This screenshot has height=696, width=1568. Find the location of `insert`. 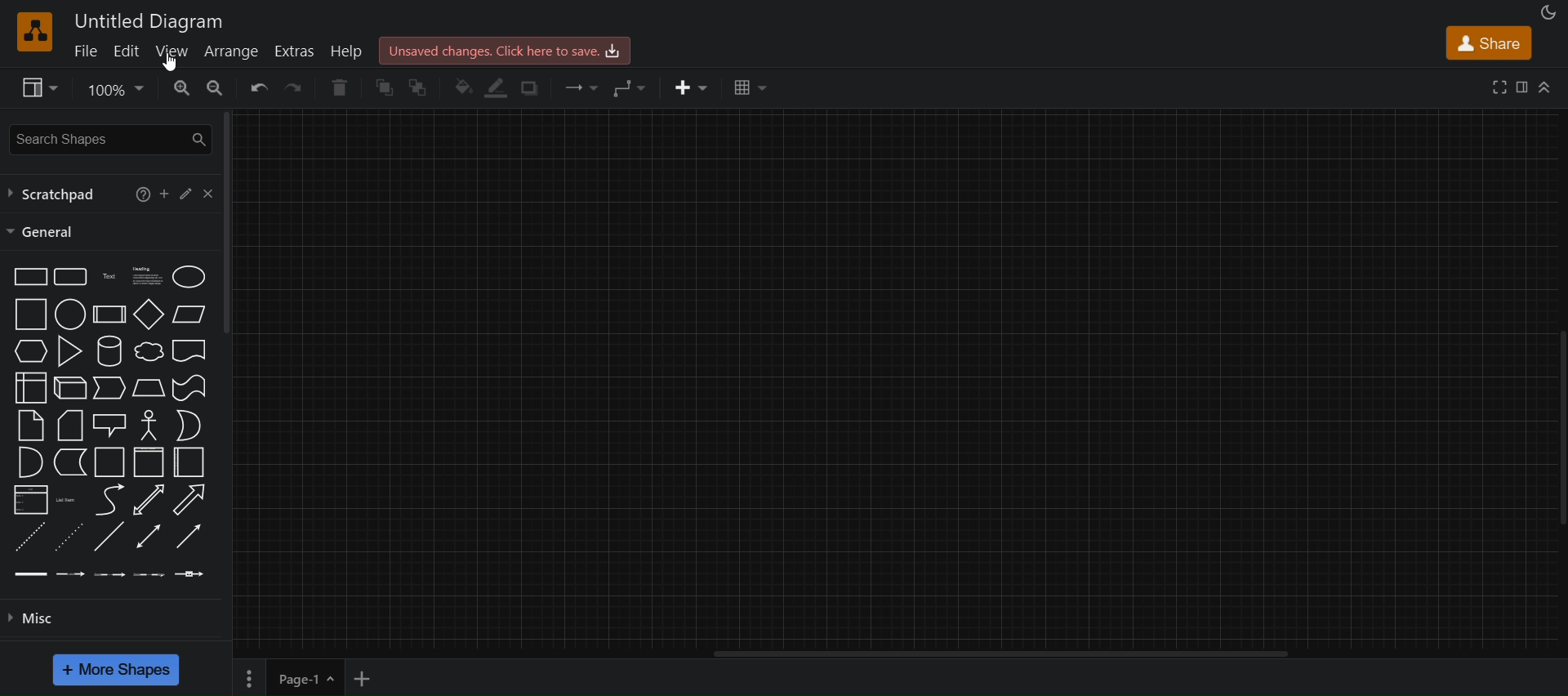

insert is located at coordinates (693, 87).